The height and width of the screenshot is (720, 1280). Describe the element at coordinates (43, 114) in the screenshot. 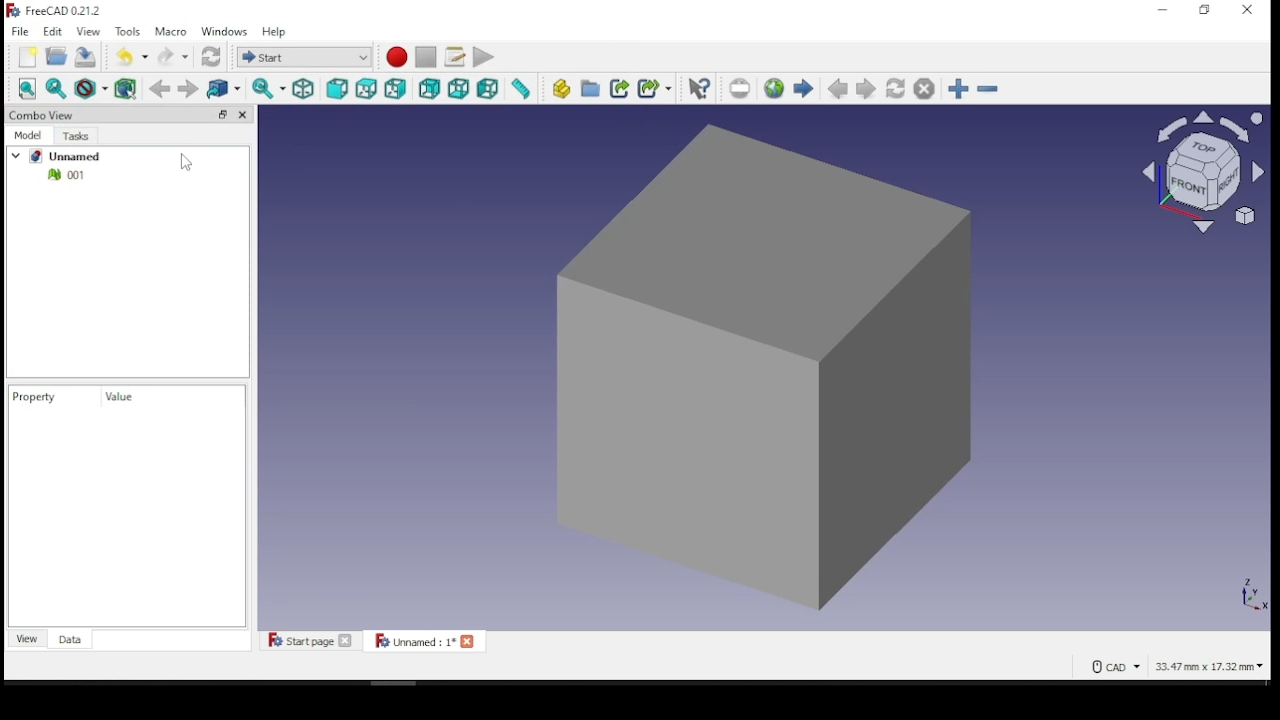

I see `combo view` at that location.